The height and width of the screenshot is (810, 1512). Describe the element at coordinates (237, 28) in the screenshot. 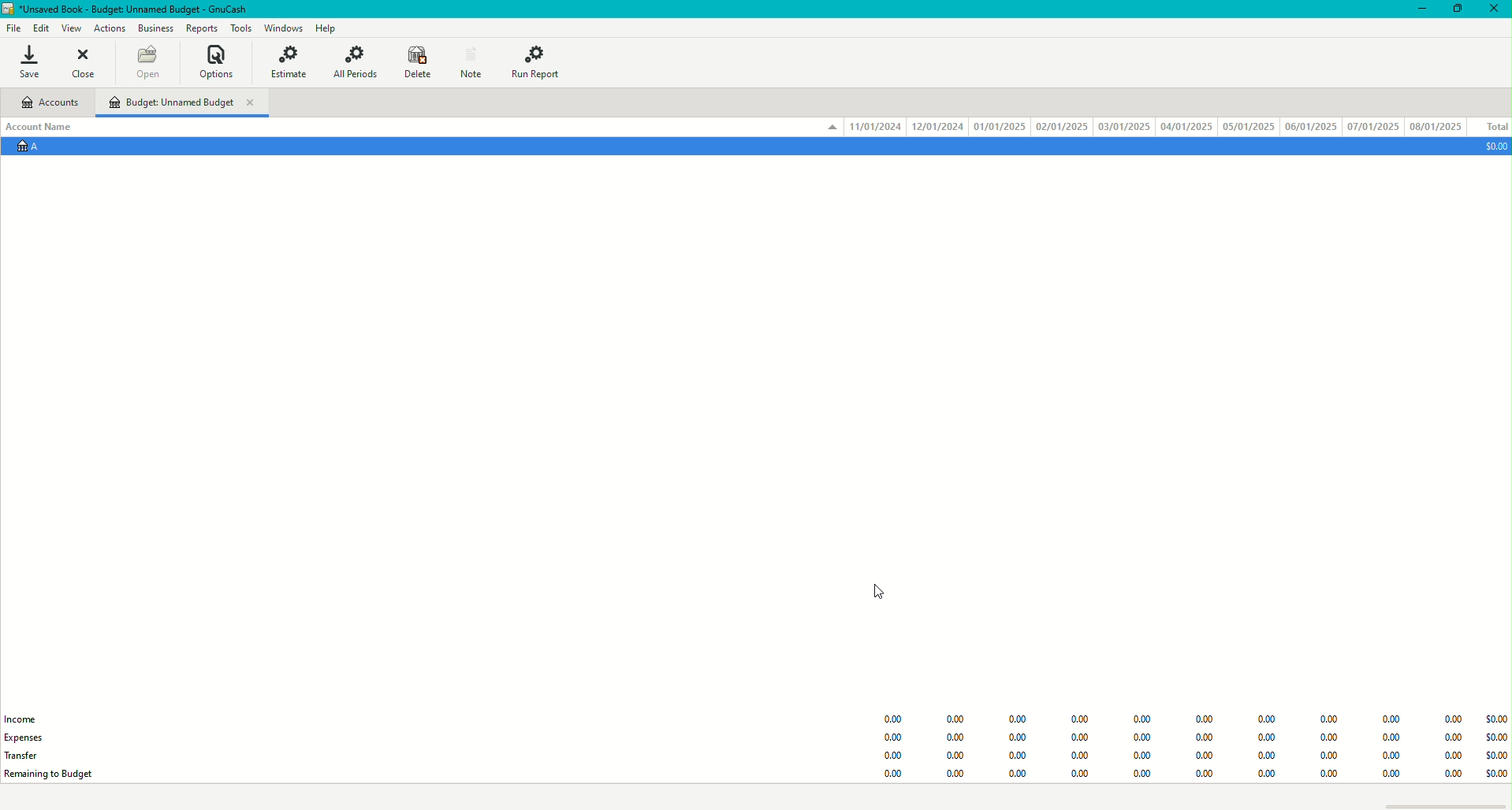

I see `Tools` at that location.